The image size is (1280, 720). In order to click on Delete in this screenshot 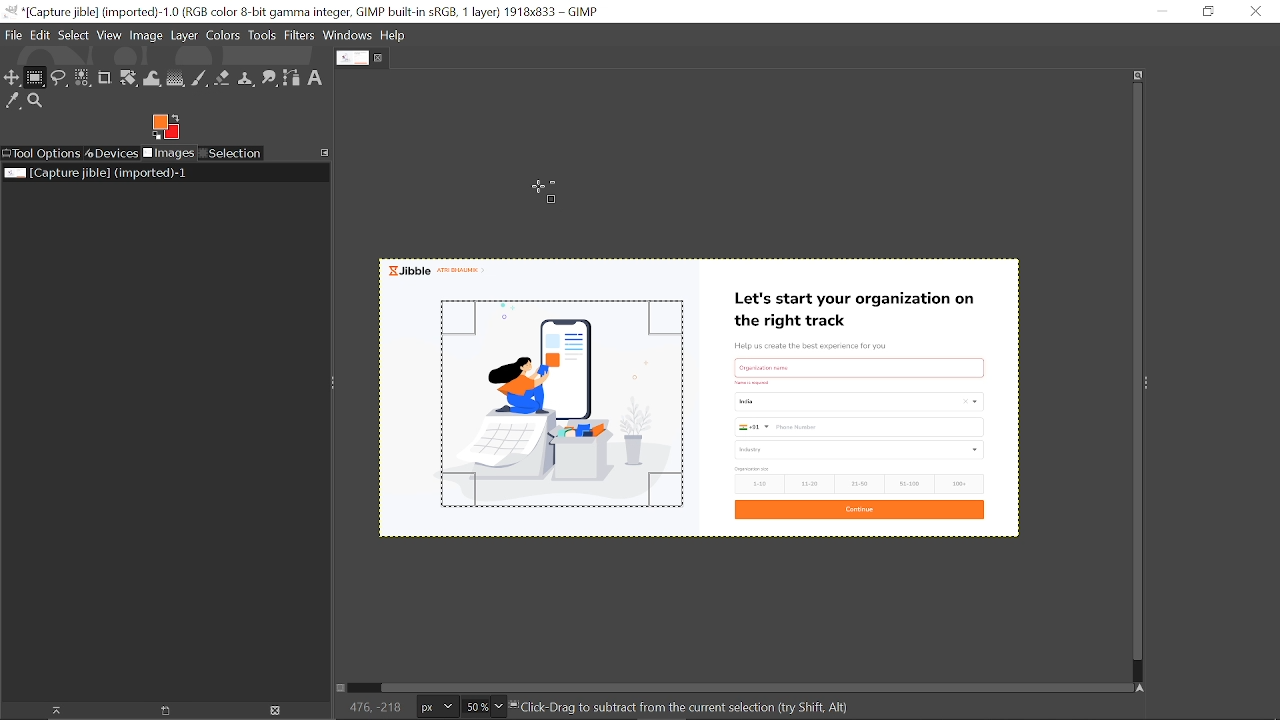, I will do `click(275, 710)`.